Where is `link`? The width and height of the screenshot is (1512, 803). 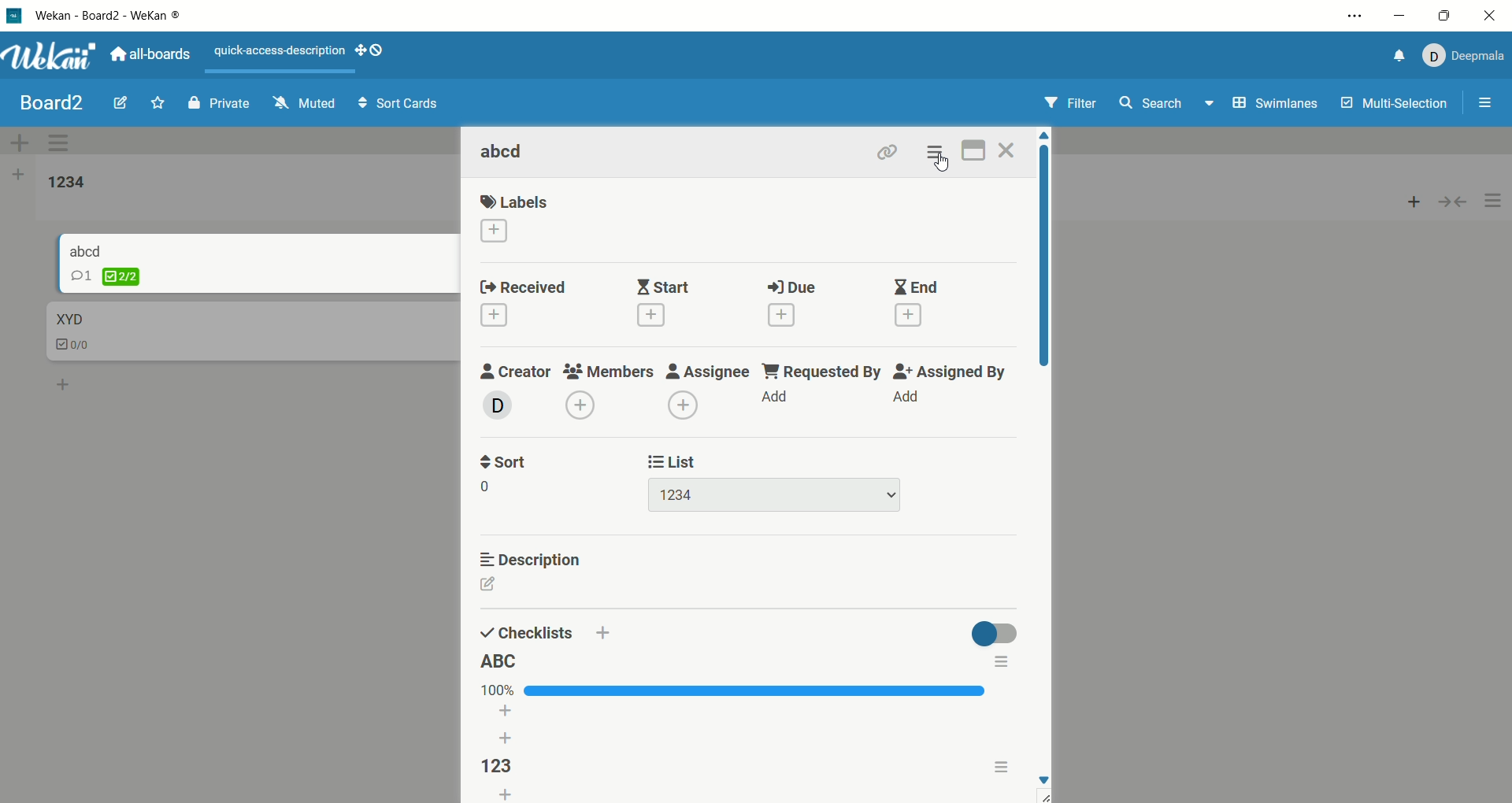
link is located at coordinates (886, 149).